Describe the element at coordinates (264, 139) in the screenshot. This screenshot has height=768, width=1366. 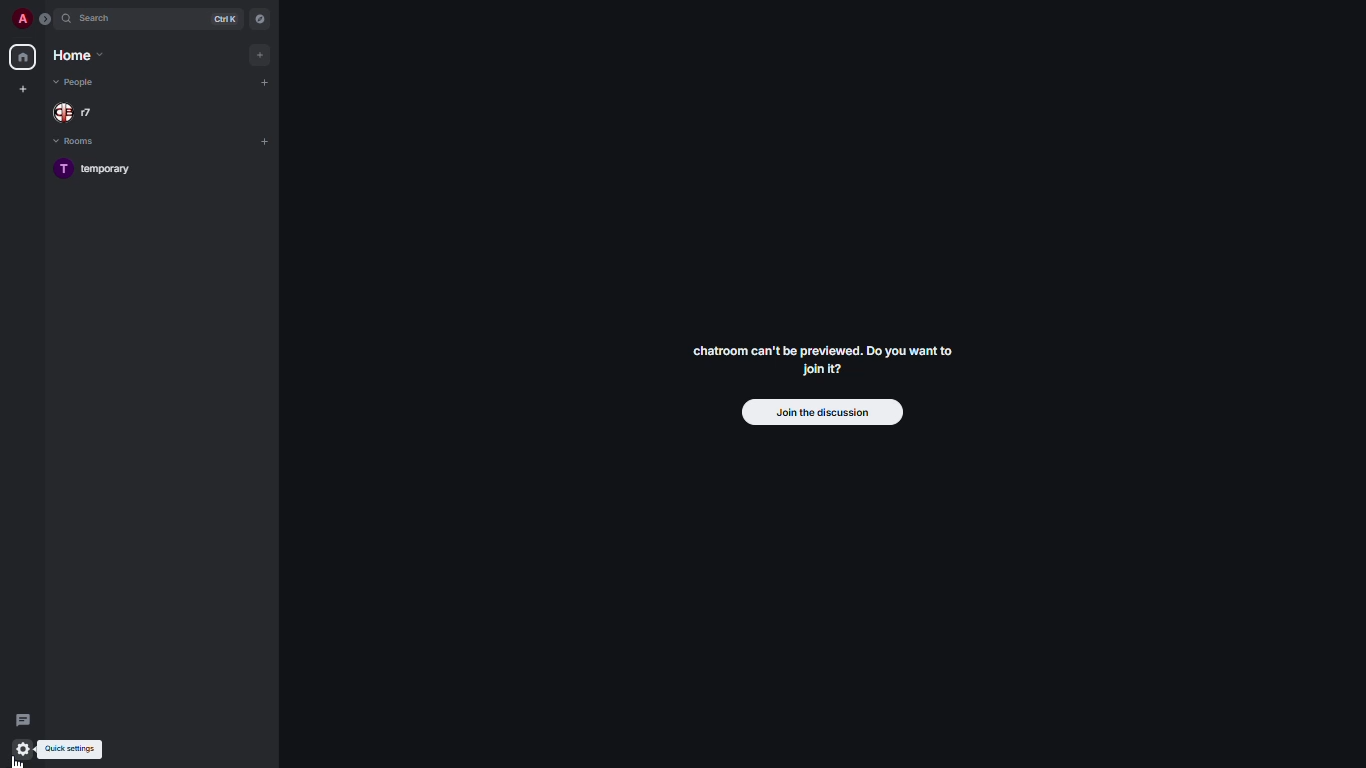
I see `add` at that location.